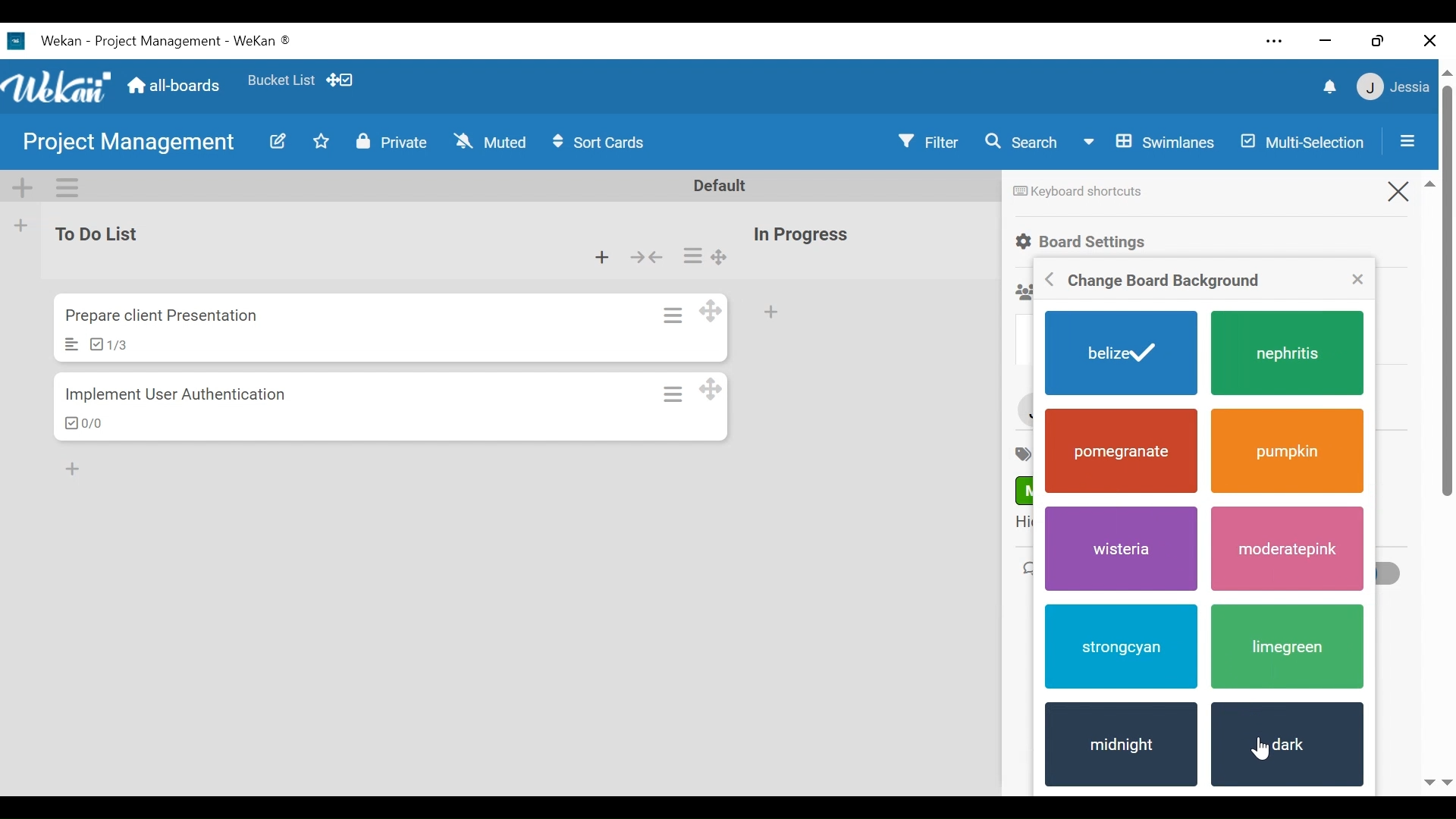  Describe the element at coordinates (701, 256) in the screenshot. I see `Card actions` at that location.